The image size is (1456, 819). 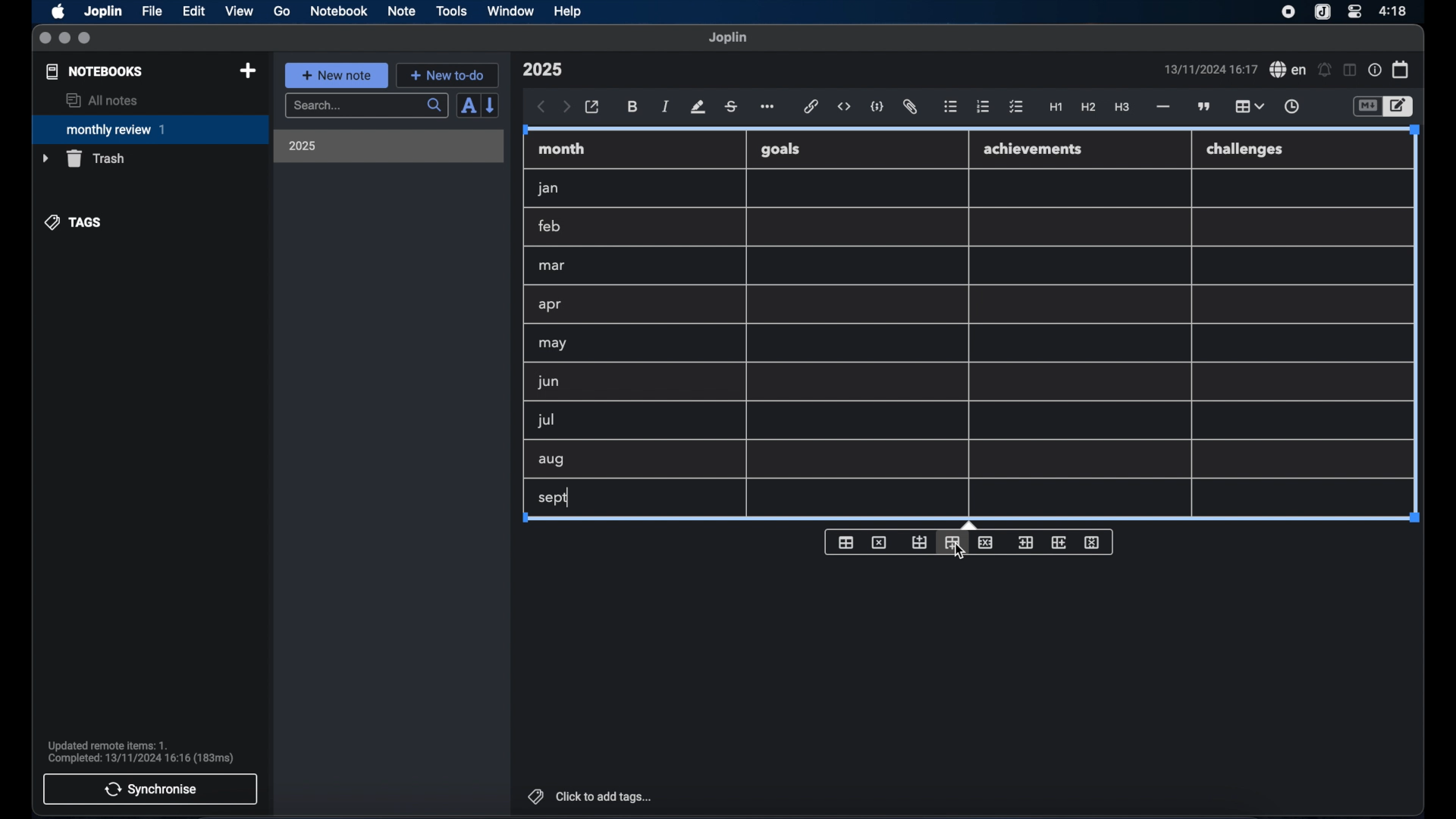 I want to click on numbered list, so click(x=983, y=106).